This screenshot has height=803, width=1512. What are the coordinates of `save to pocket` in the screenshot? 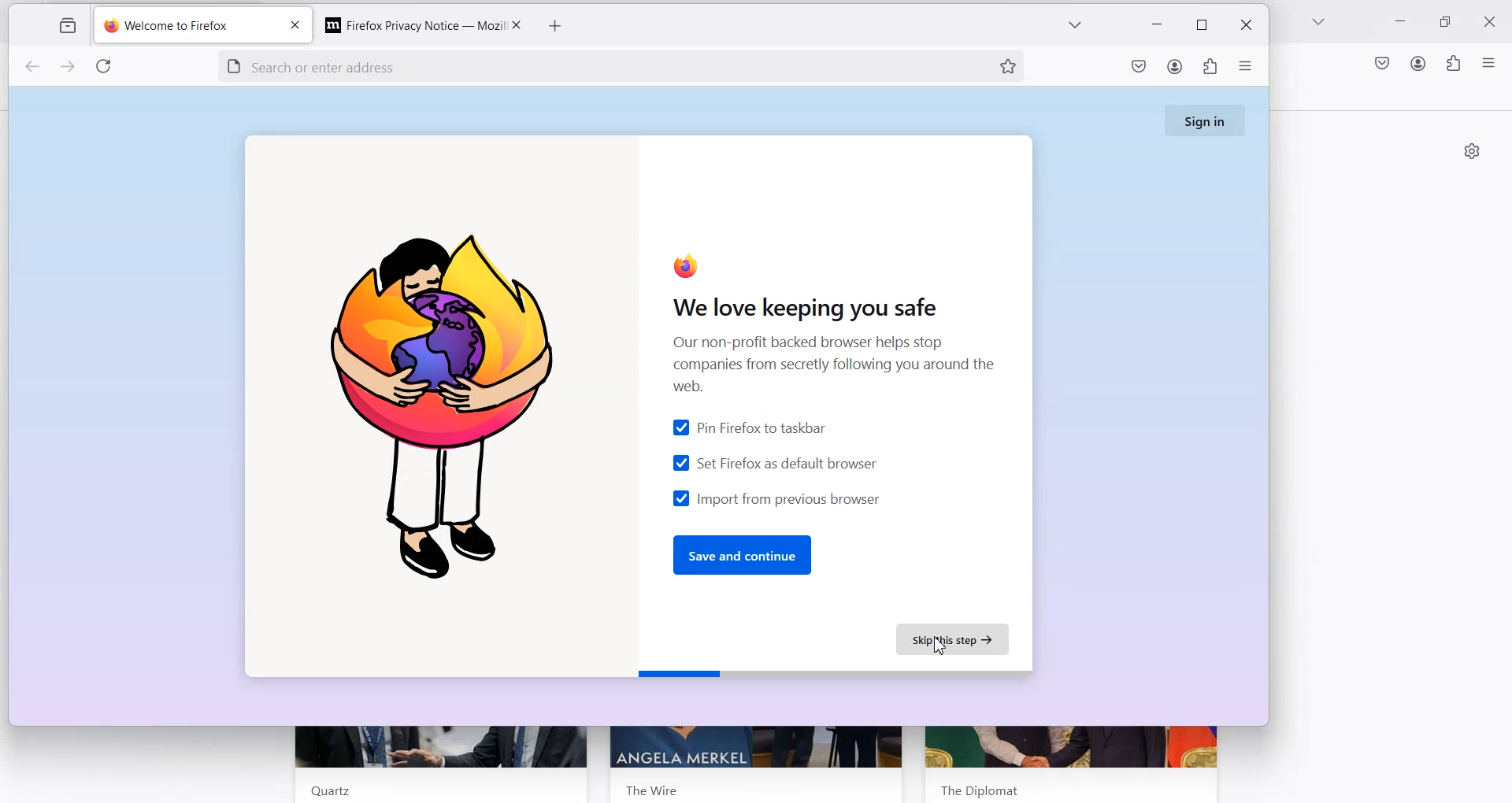 It's located at (1139, 69).